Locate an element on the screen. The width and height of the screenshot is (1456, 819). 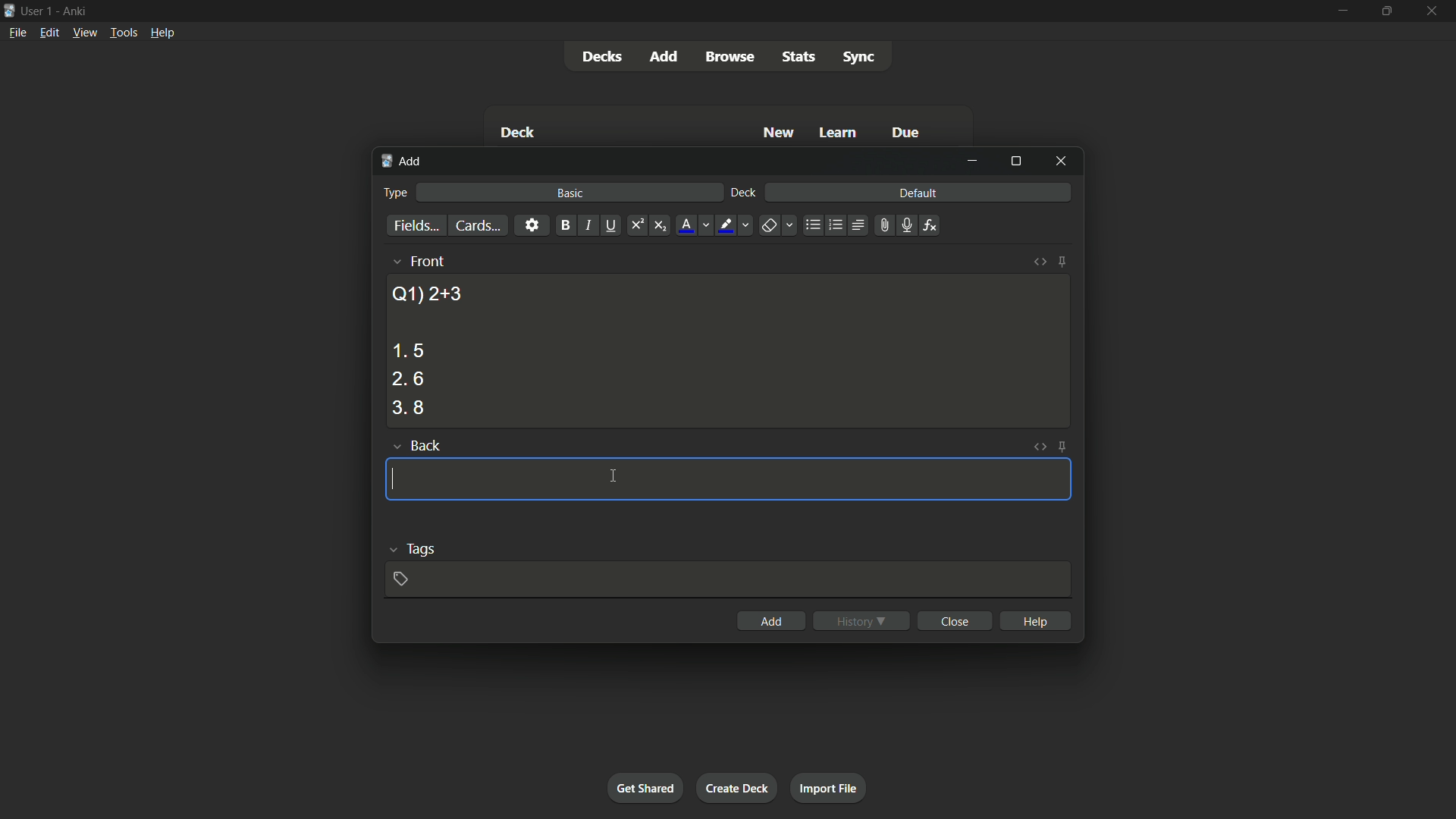
edit menu is located at coordinates (50, 32).